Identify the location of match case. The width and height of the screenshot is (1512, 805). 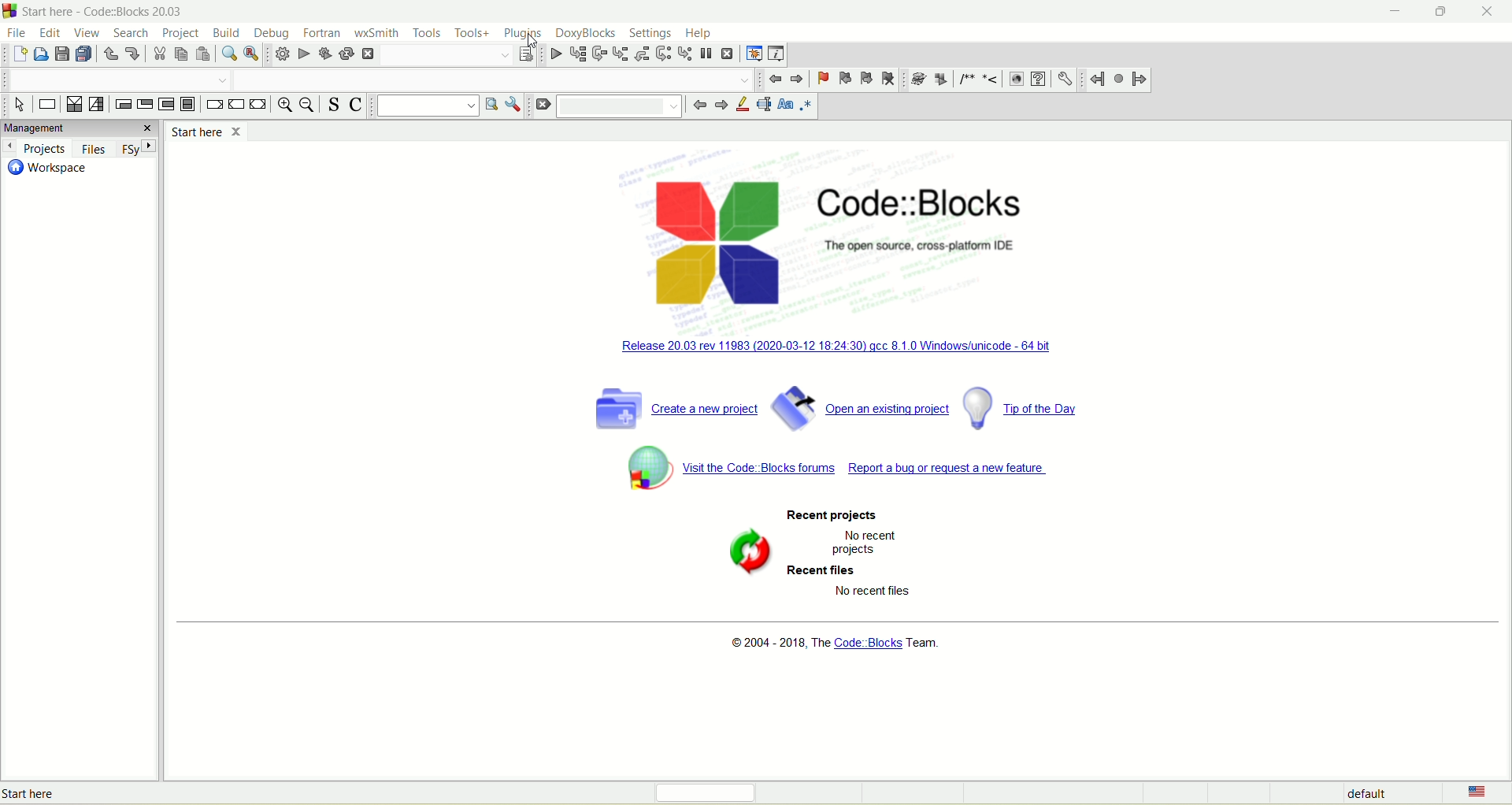
(785, 105).